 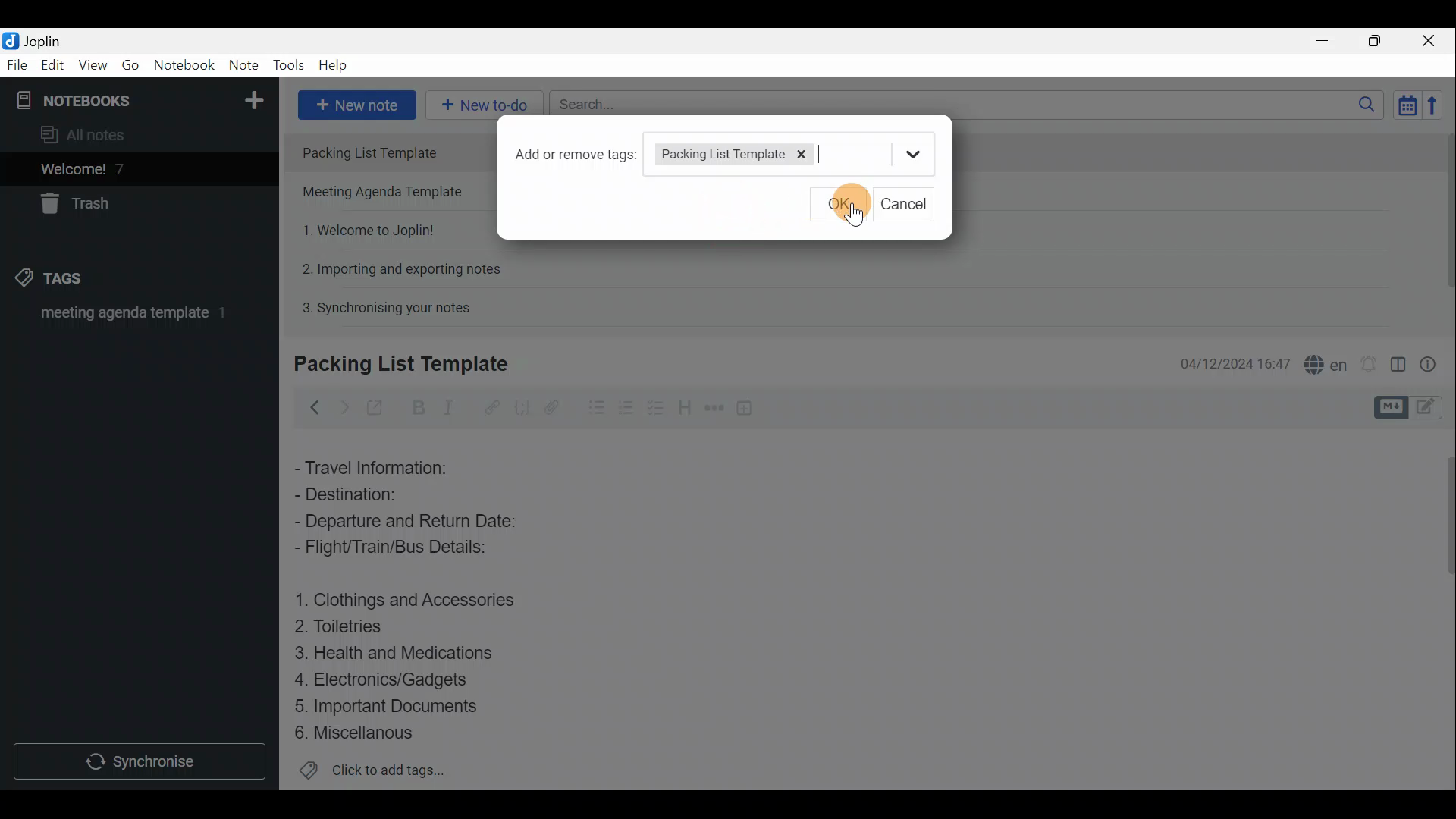 What do you see at coordinates (712, 408) in the screenshot?
I see `Horizontal rule` at bounding box center [712, 408].